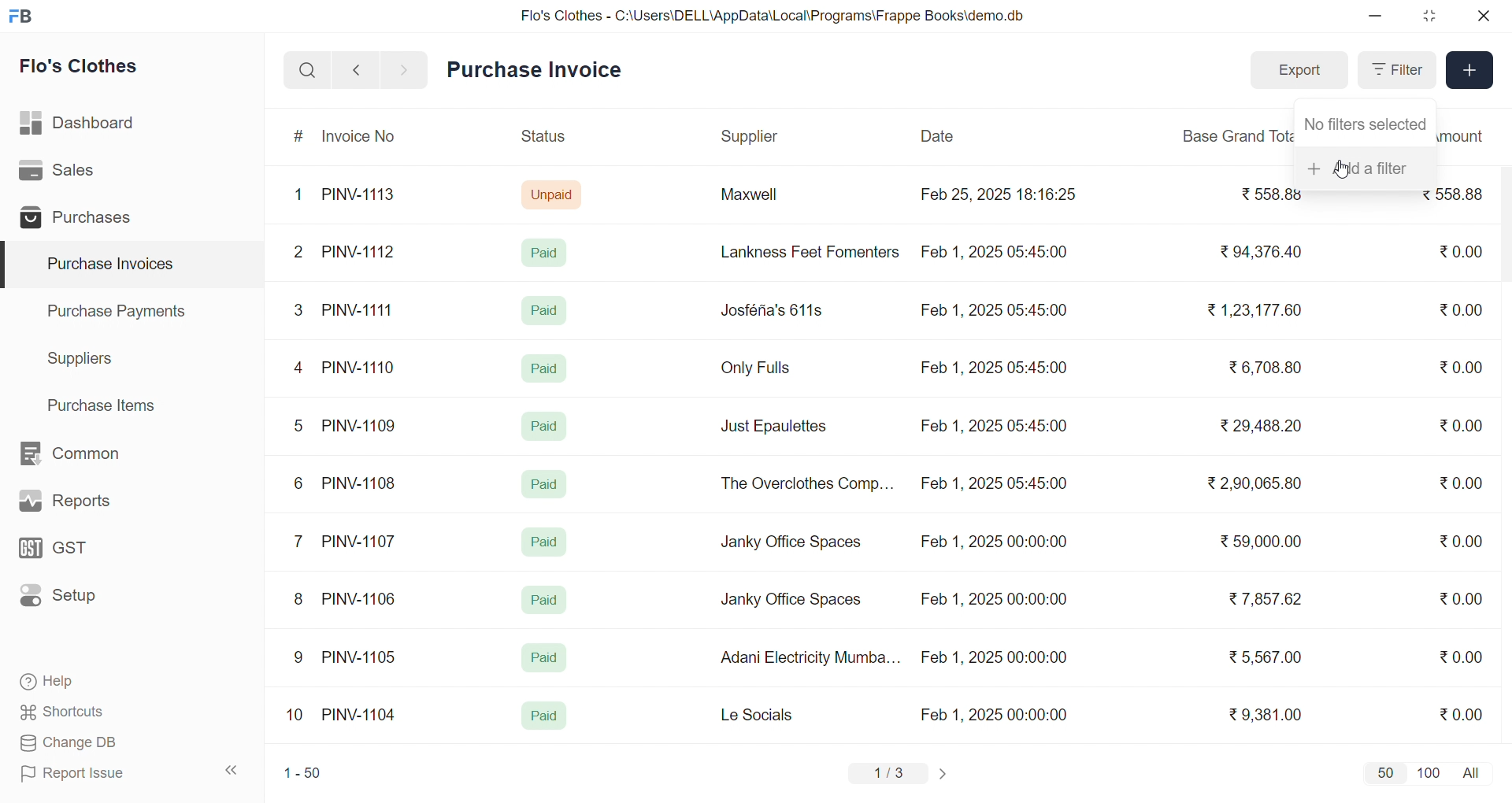  What do you see at coordinates (301, 254) in the screenshot?
I see `2` at bounding box center [301, 254].